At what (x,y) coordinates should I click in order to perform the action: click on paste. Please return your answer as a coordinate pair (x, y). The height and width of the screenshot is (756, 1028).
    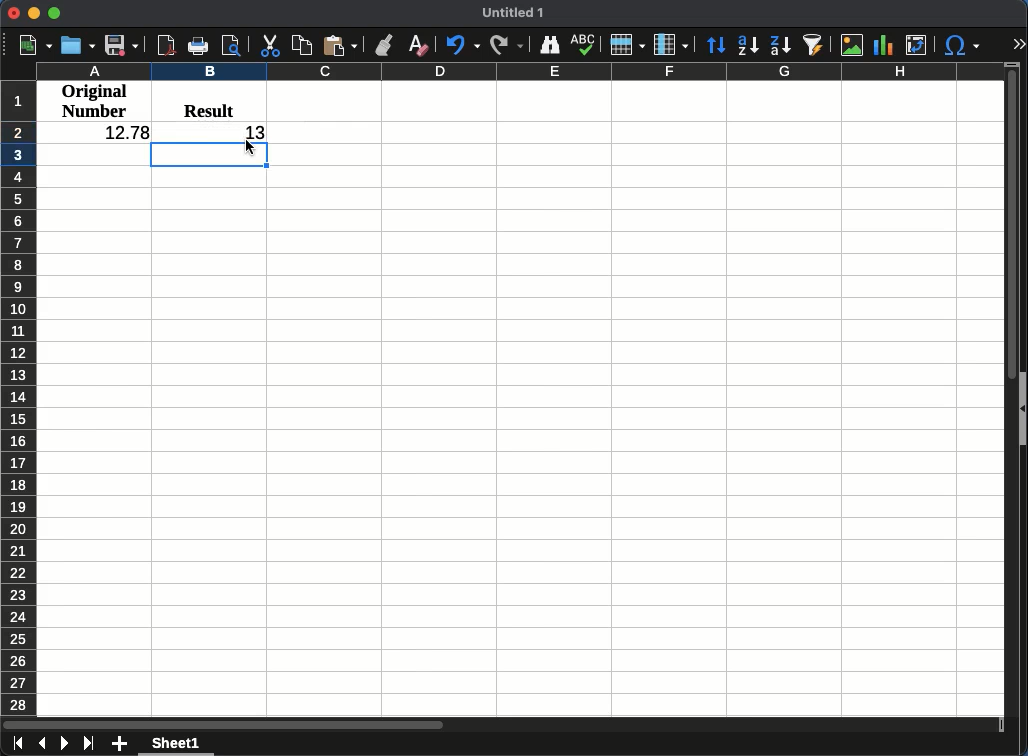
    Looking at the image, I should click on (339, 46).